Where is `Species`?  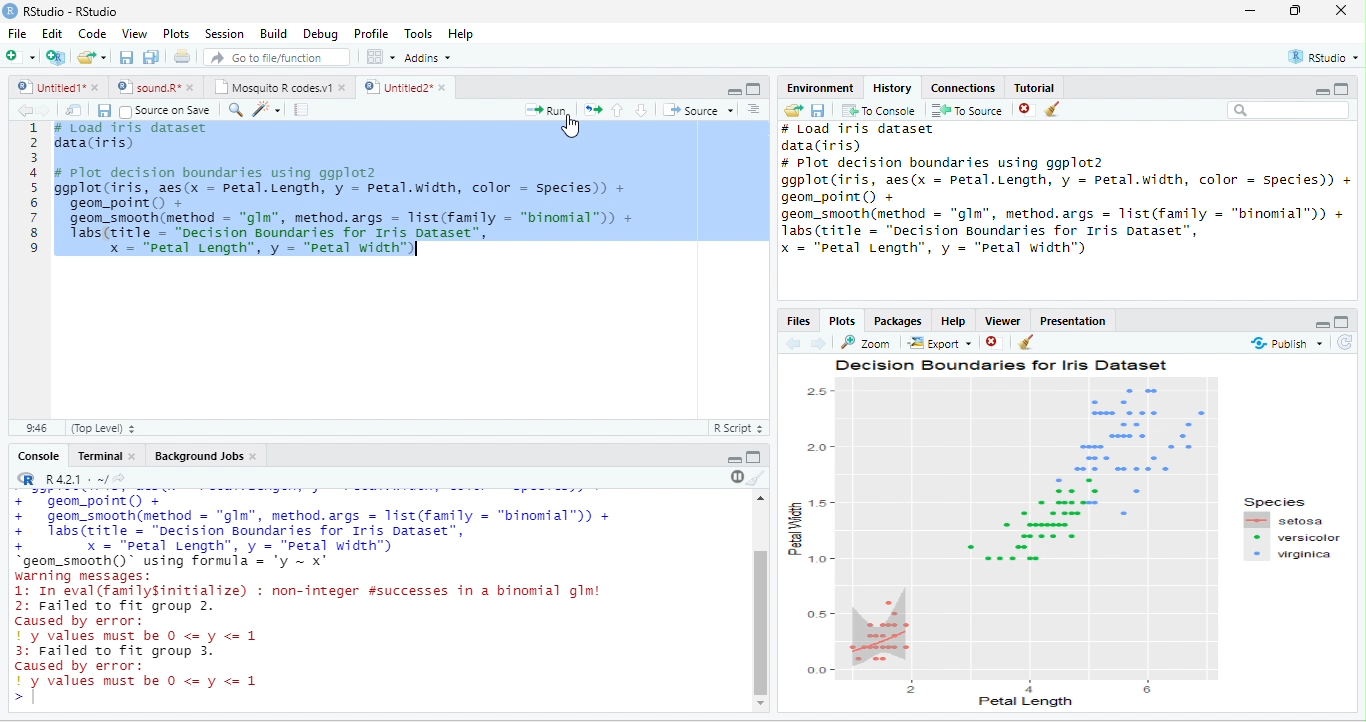
Species is located at coordinates (1274, 502).